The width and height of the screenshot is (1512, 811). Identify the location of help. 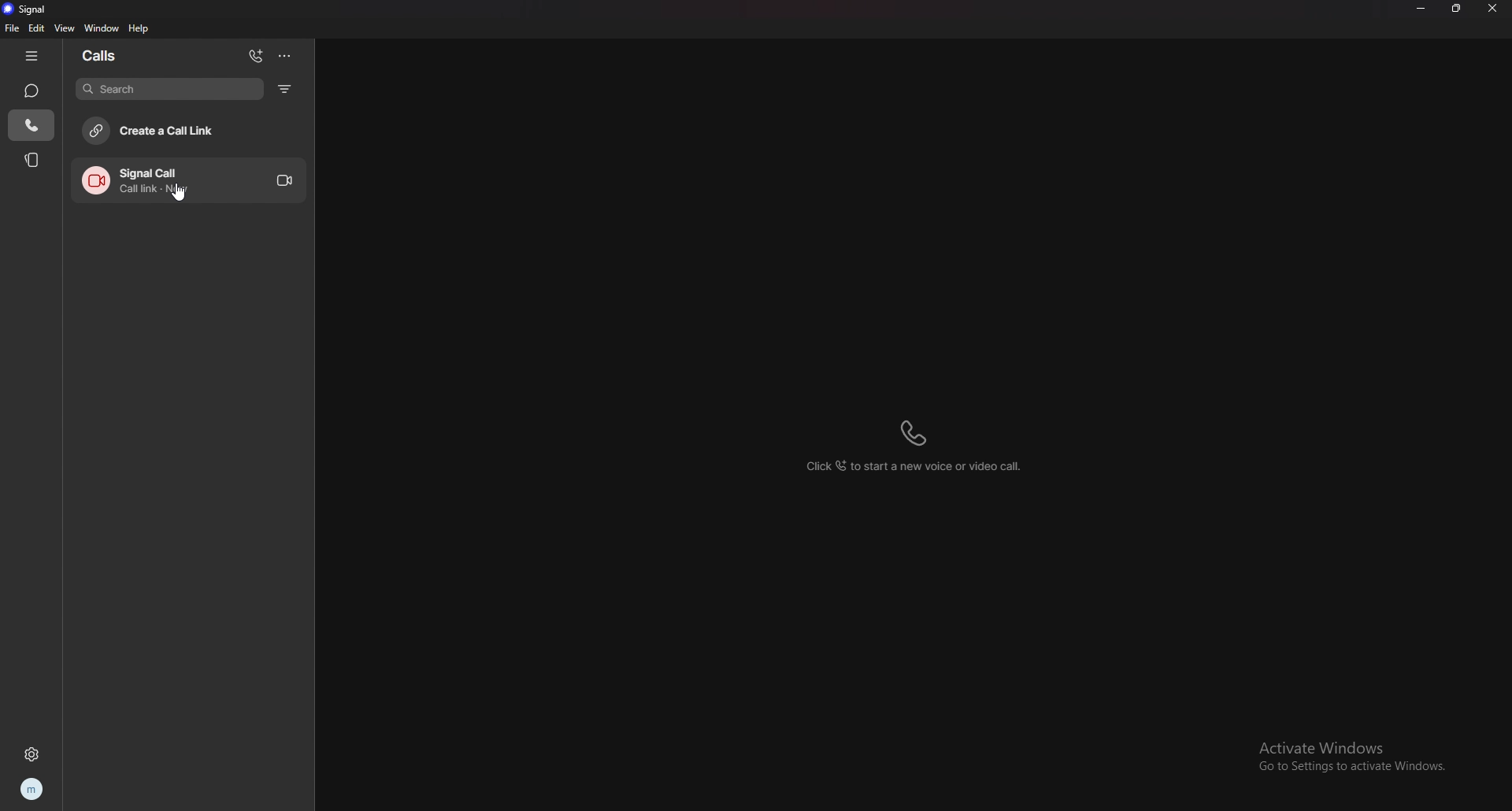
(139, 28).